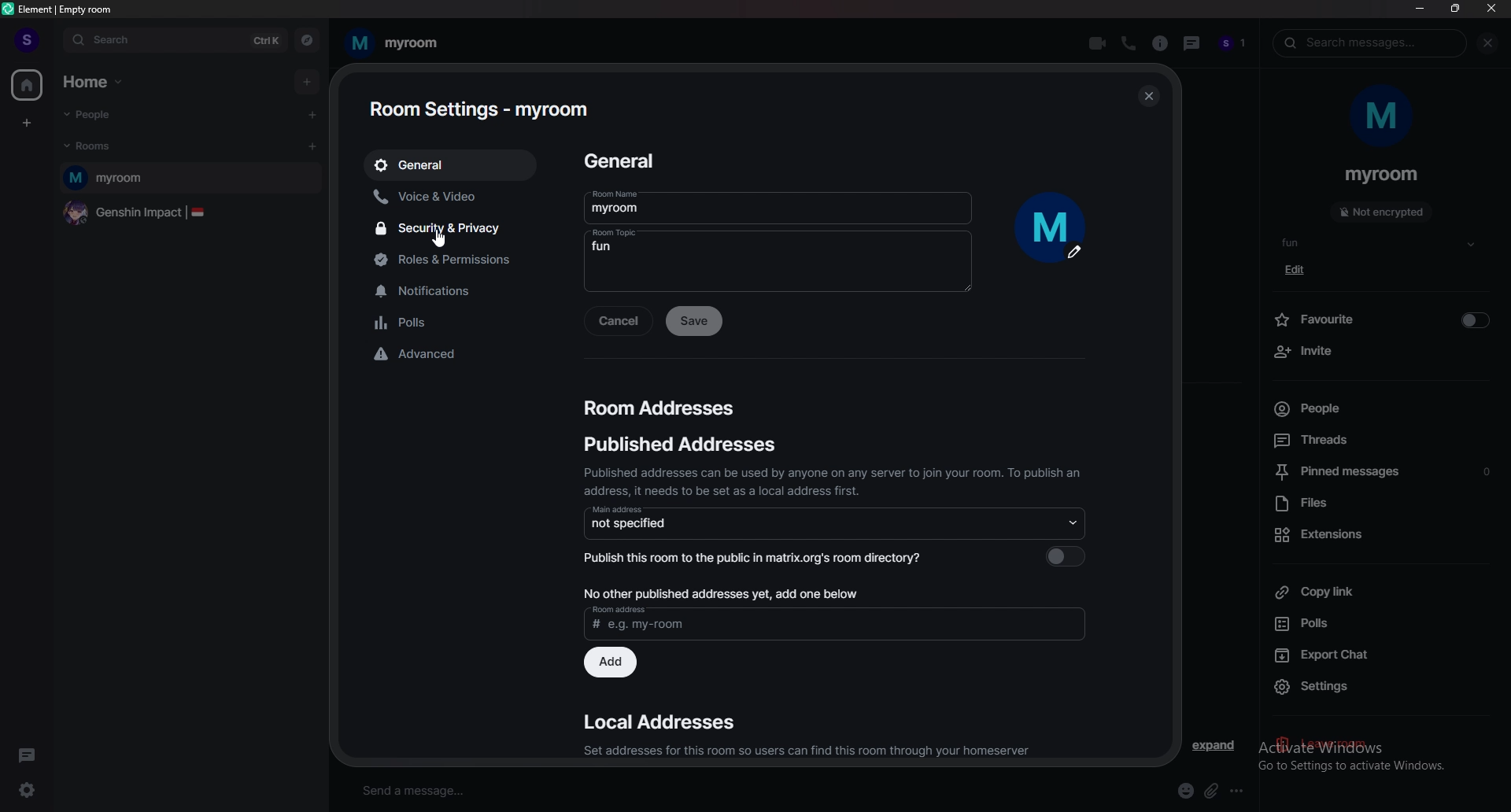 This screenshot has height=812, width=1511. Describe the element at coordinates (139, 42) in the screenshot. I see `search` at that location.